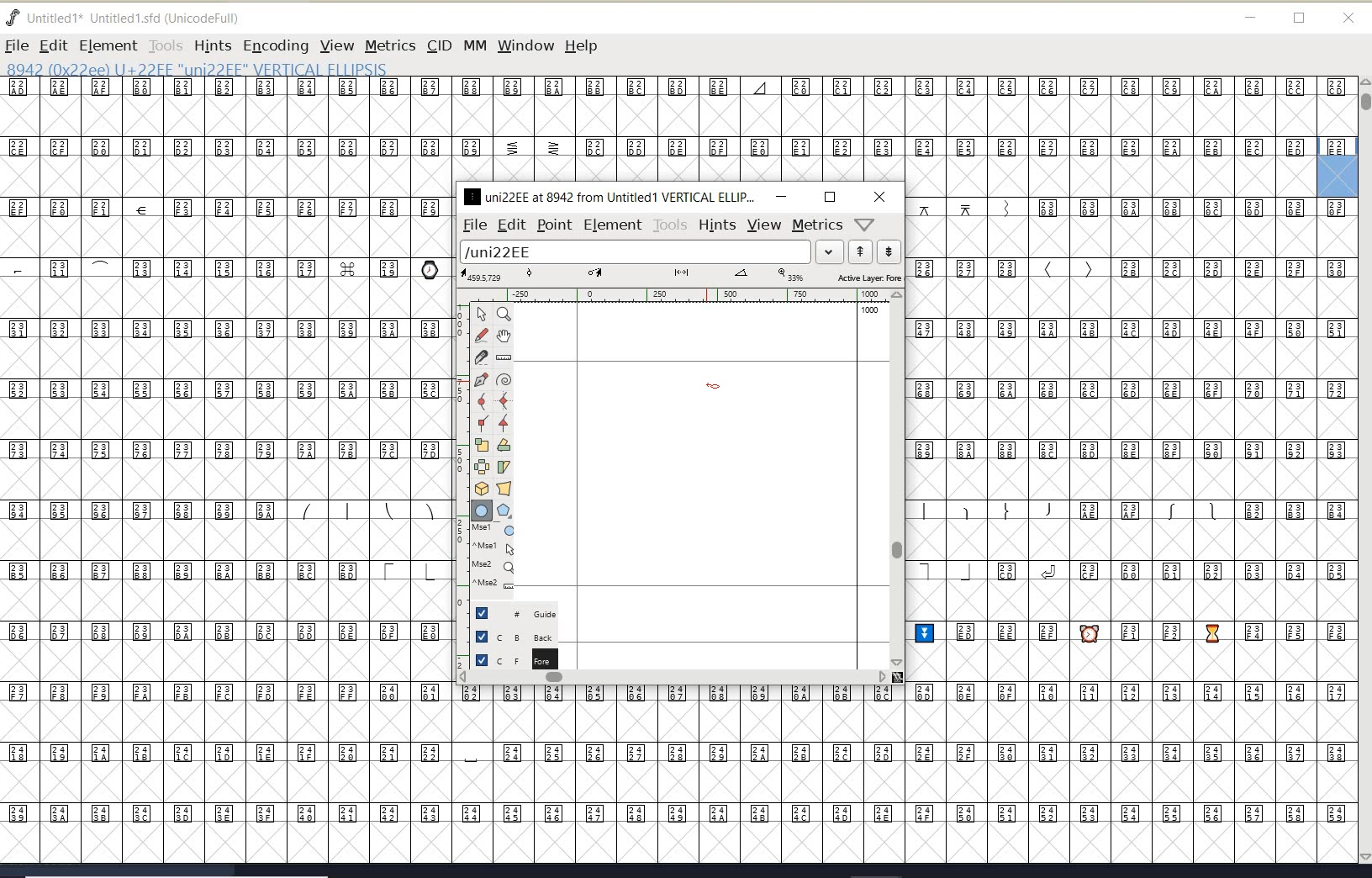  What do you see at coordinates (510, 224) in the screenshot?
I see `edit` at bounding box center [510, 224].